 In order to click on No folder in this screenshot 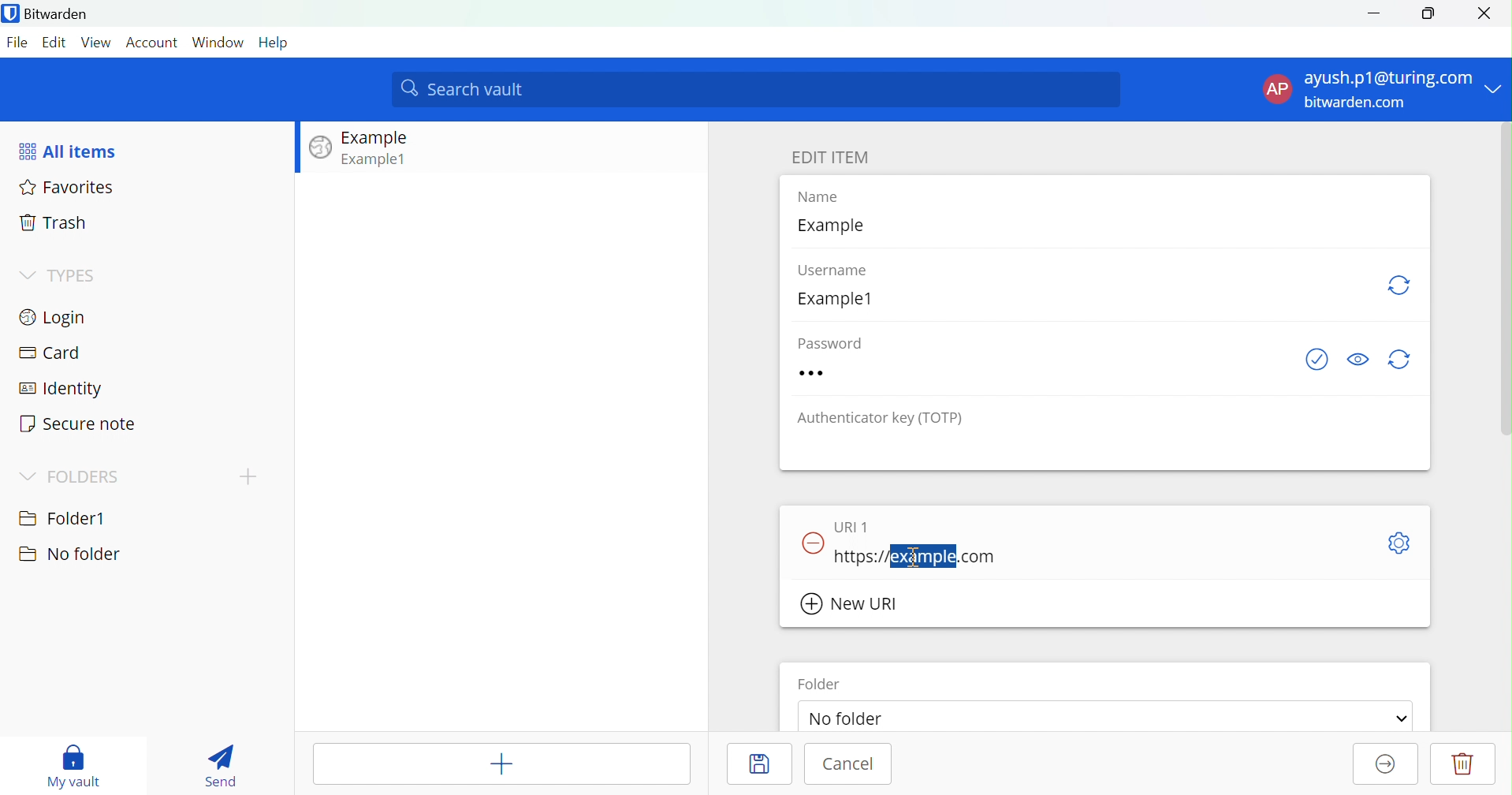, I will do `click(853, 720)`.